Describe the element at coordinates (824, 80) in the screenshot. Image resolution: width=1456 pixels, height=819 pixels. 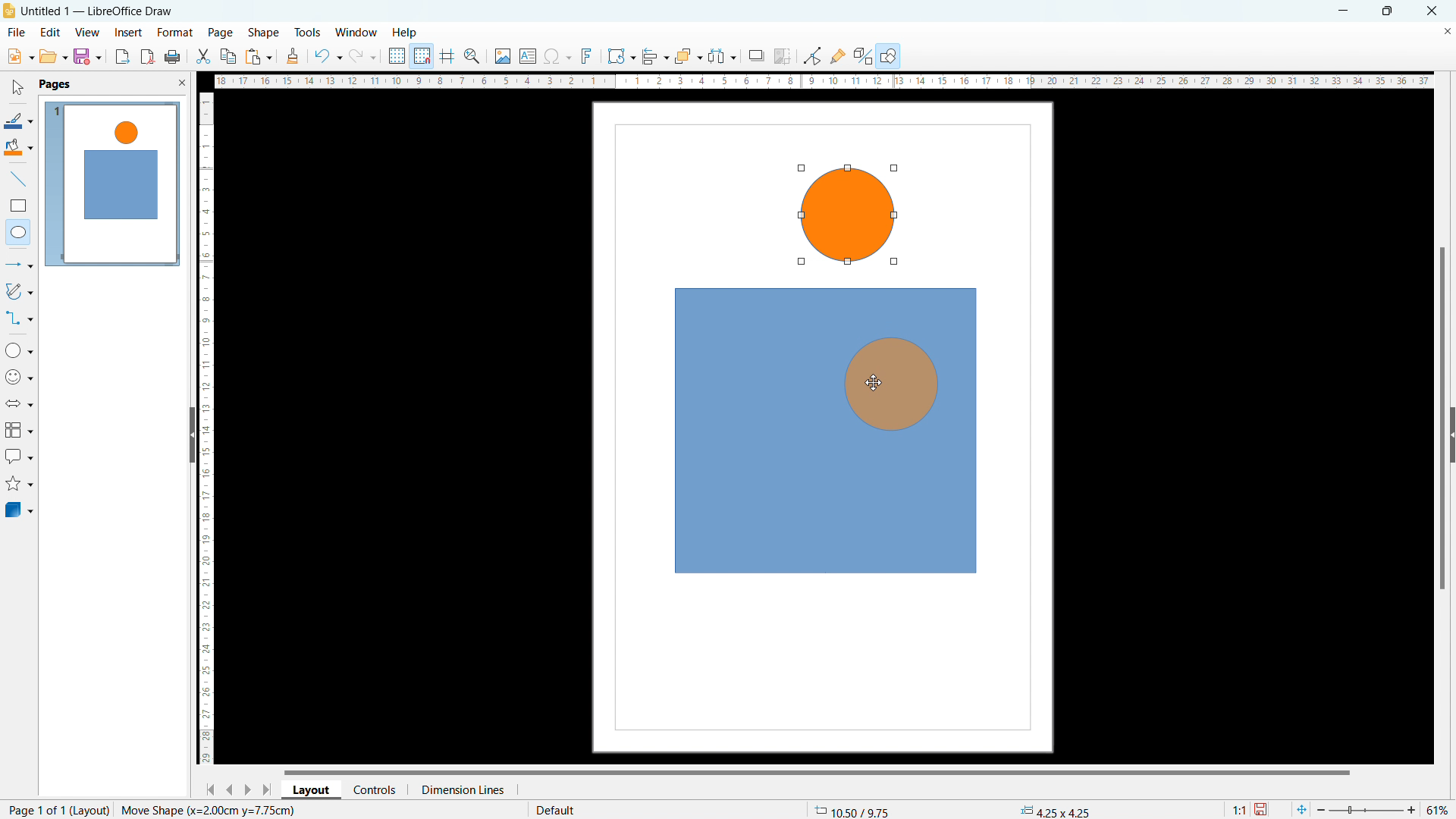
I see `horizontal ruler` at that location.